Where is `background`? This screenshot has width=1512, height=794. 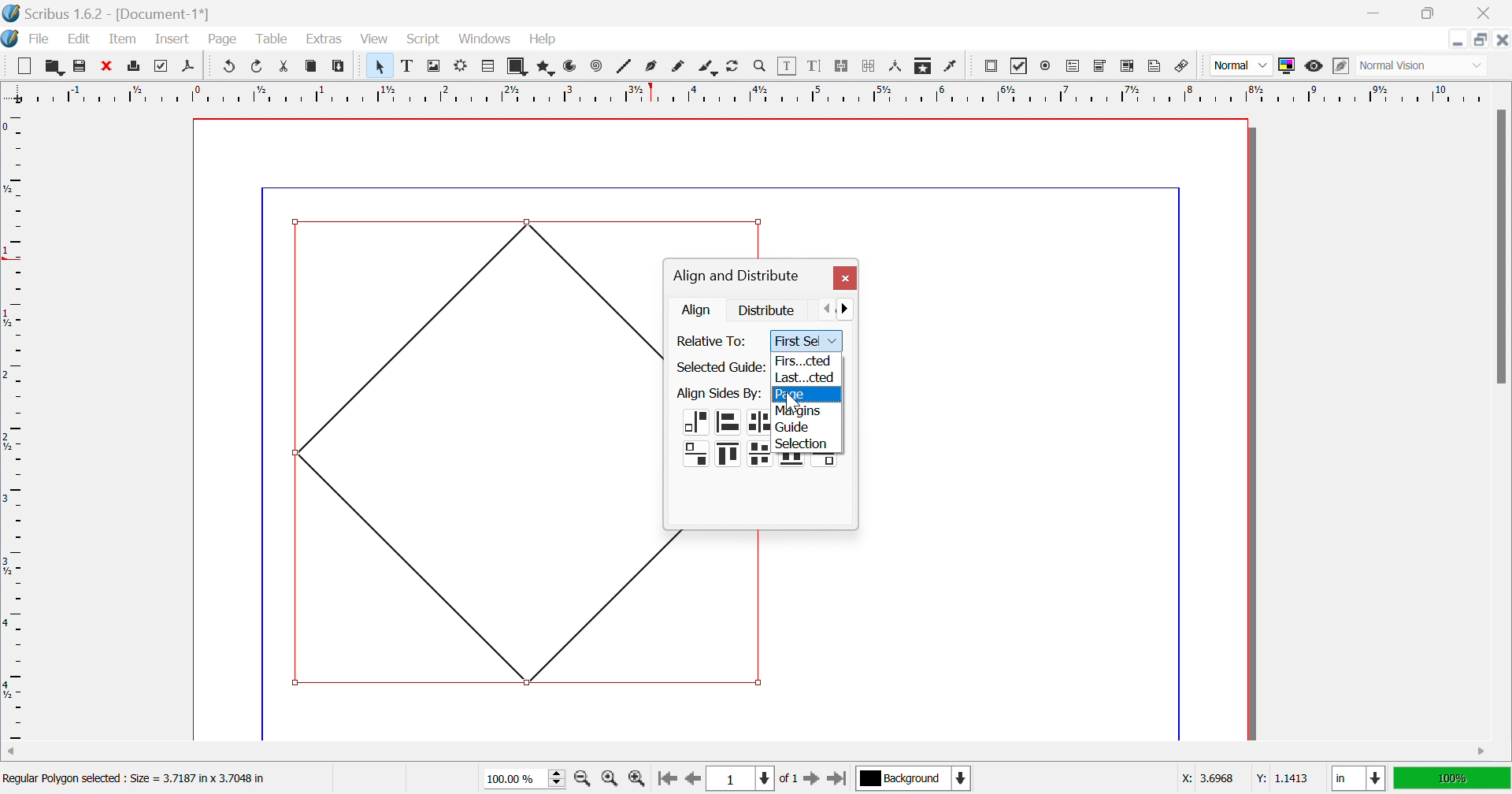 background is located at coordinates (915, 777).